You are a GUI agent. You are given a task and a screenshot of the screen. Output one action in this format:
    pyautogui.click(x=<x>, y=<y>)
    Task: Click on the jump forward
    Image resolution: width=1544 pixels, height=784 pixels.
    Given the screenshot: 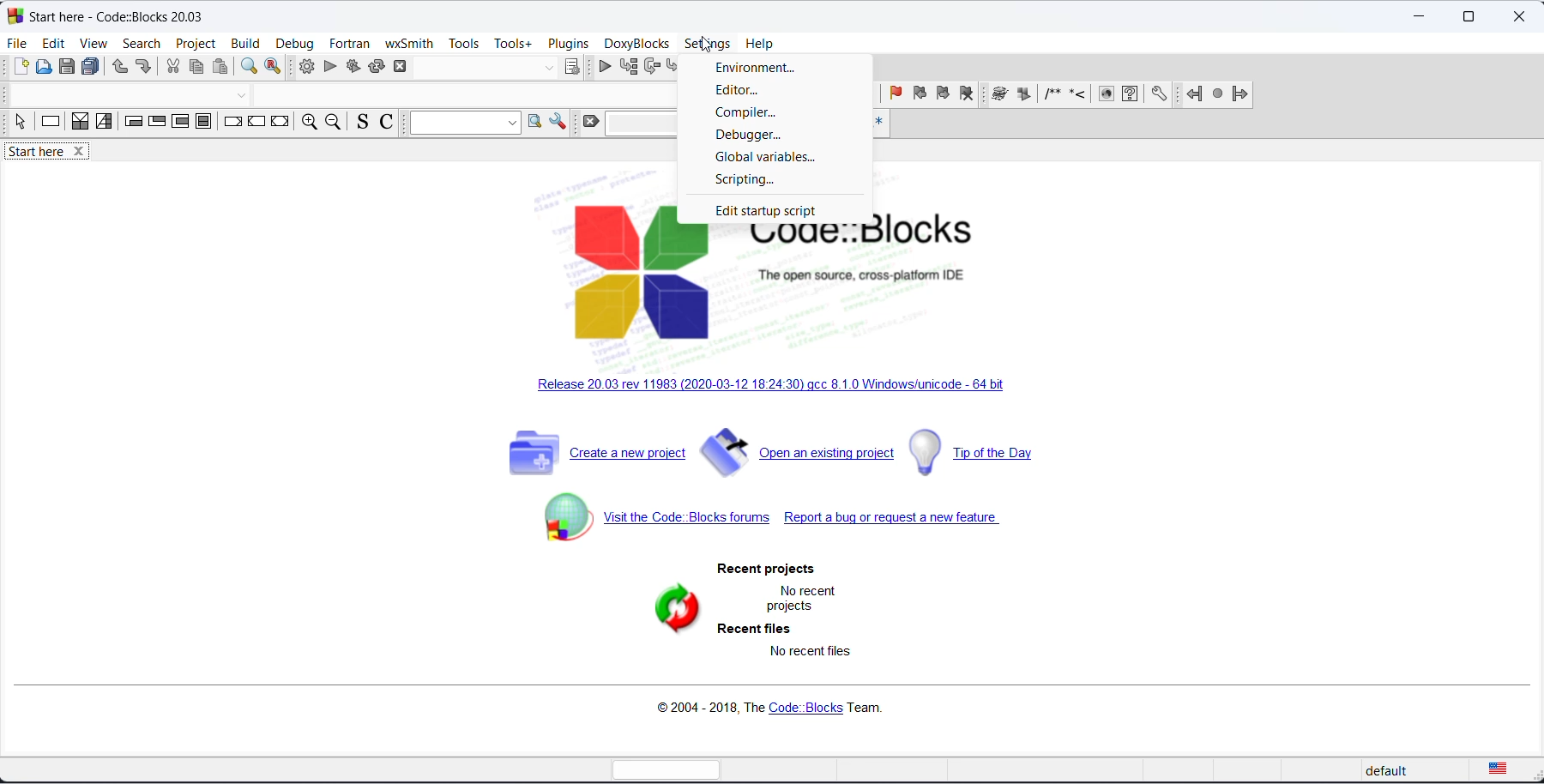 What is the action you would take?
    pyautogui.click(x=1239, y=94)
    